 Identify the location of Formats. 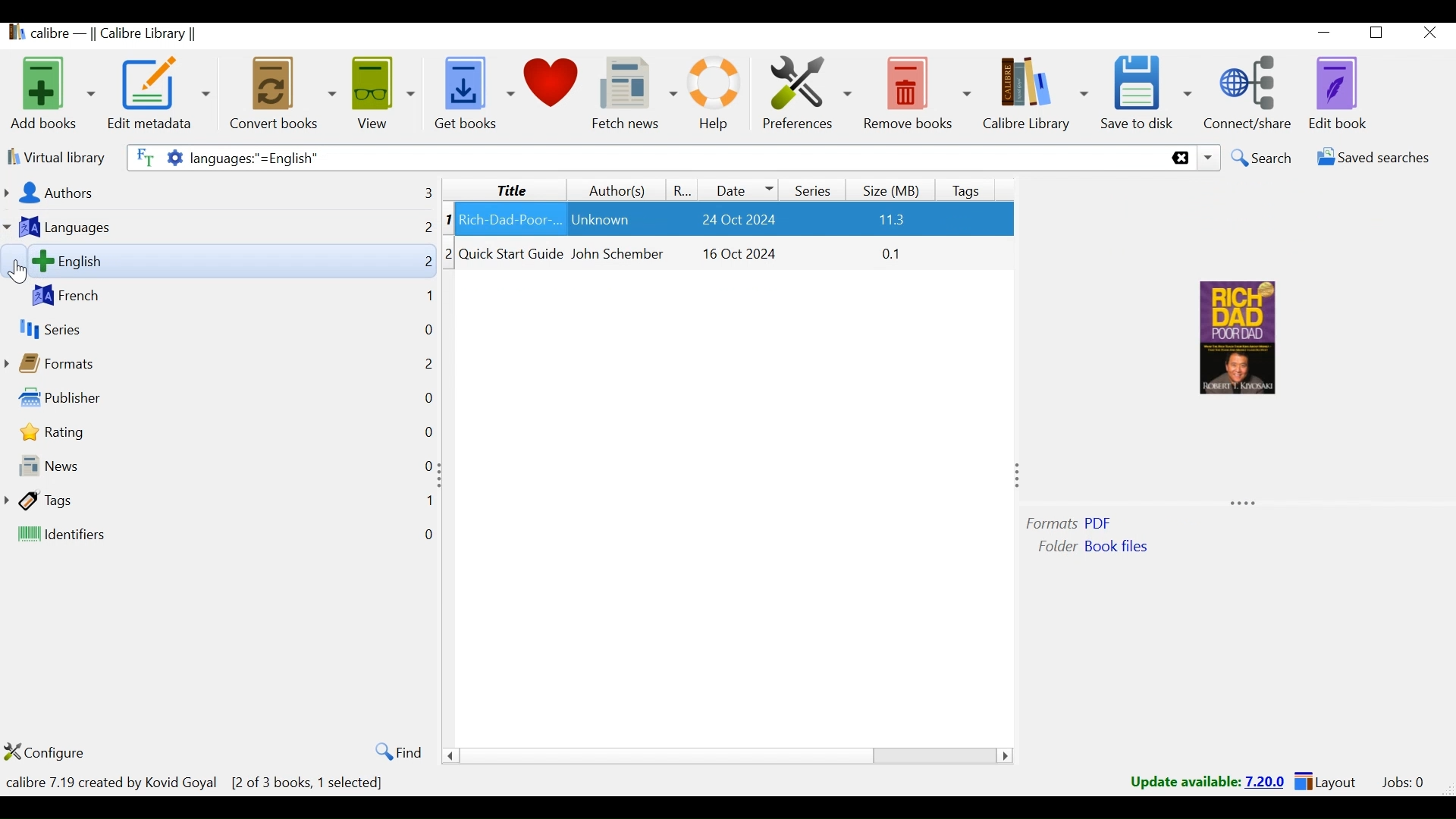
(82, 360).